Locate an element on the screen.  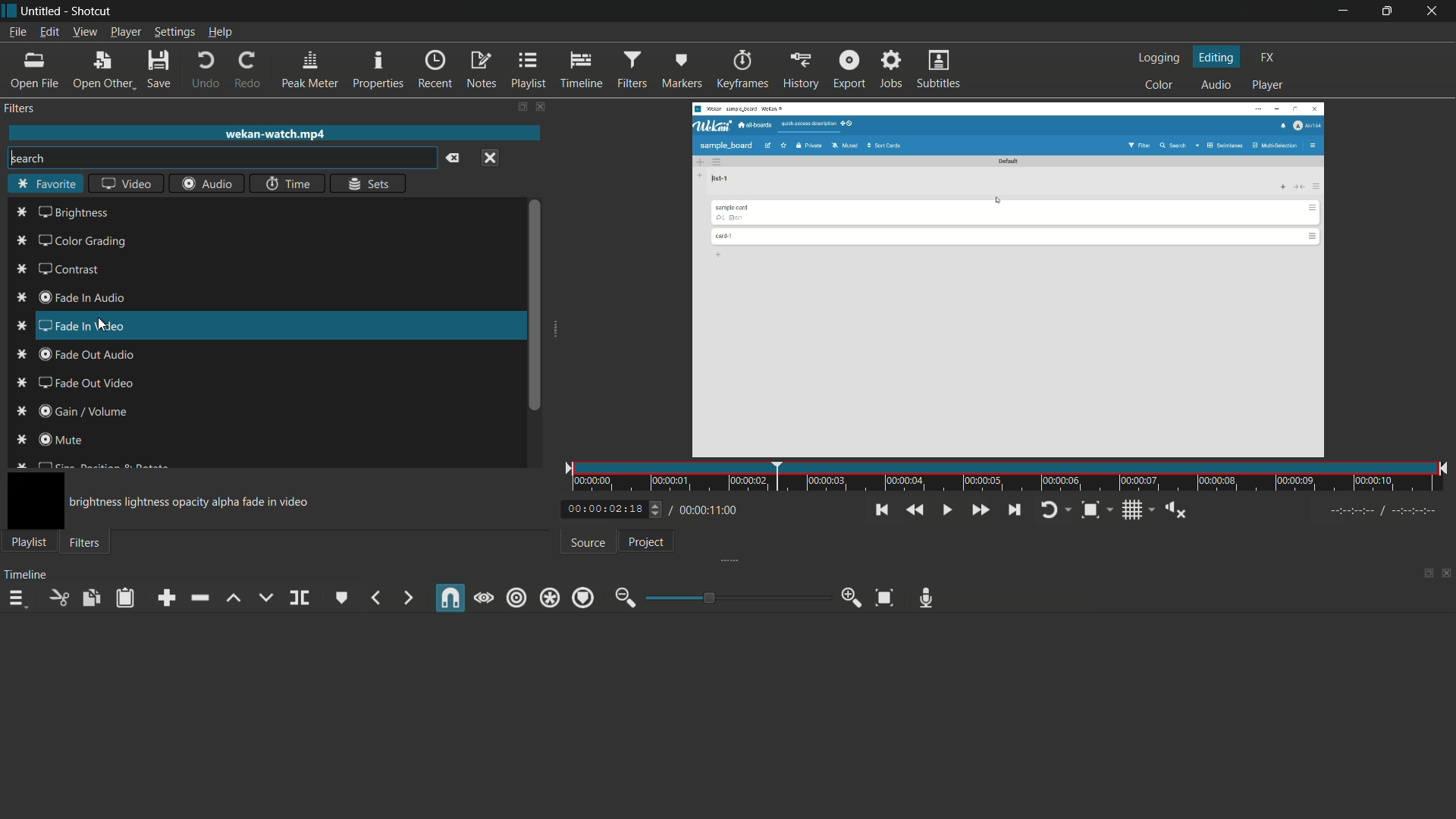
expand is located at coordinates (555, 331).